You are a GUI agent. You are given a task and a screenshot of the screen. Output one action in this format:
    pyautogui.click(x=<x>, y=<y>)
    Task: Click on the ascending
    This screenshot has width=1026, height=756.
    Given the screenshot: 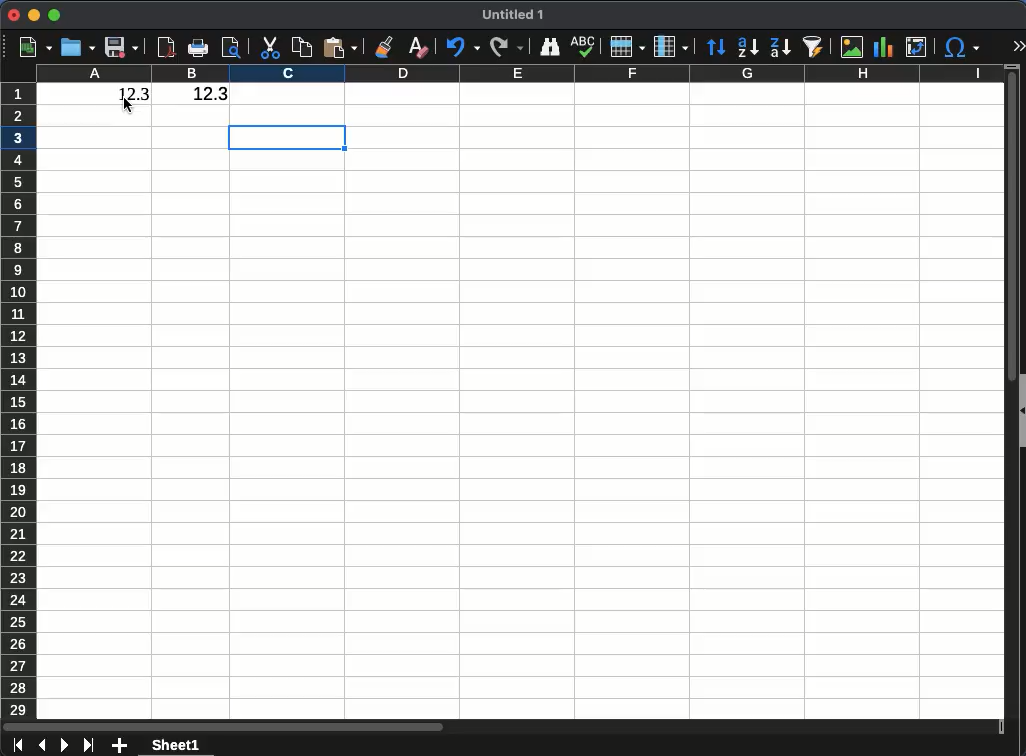 What is the action you would take?
    pyautogui.click(x=748, y=47)
    